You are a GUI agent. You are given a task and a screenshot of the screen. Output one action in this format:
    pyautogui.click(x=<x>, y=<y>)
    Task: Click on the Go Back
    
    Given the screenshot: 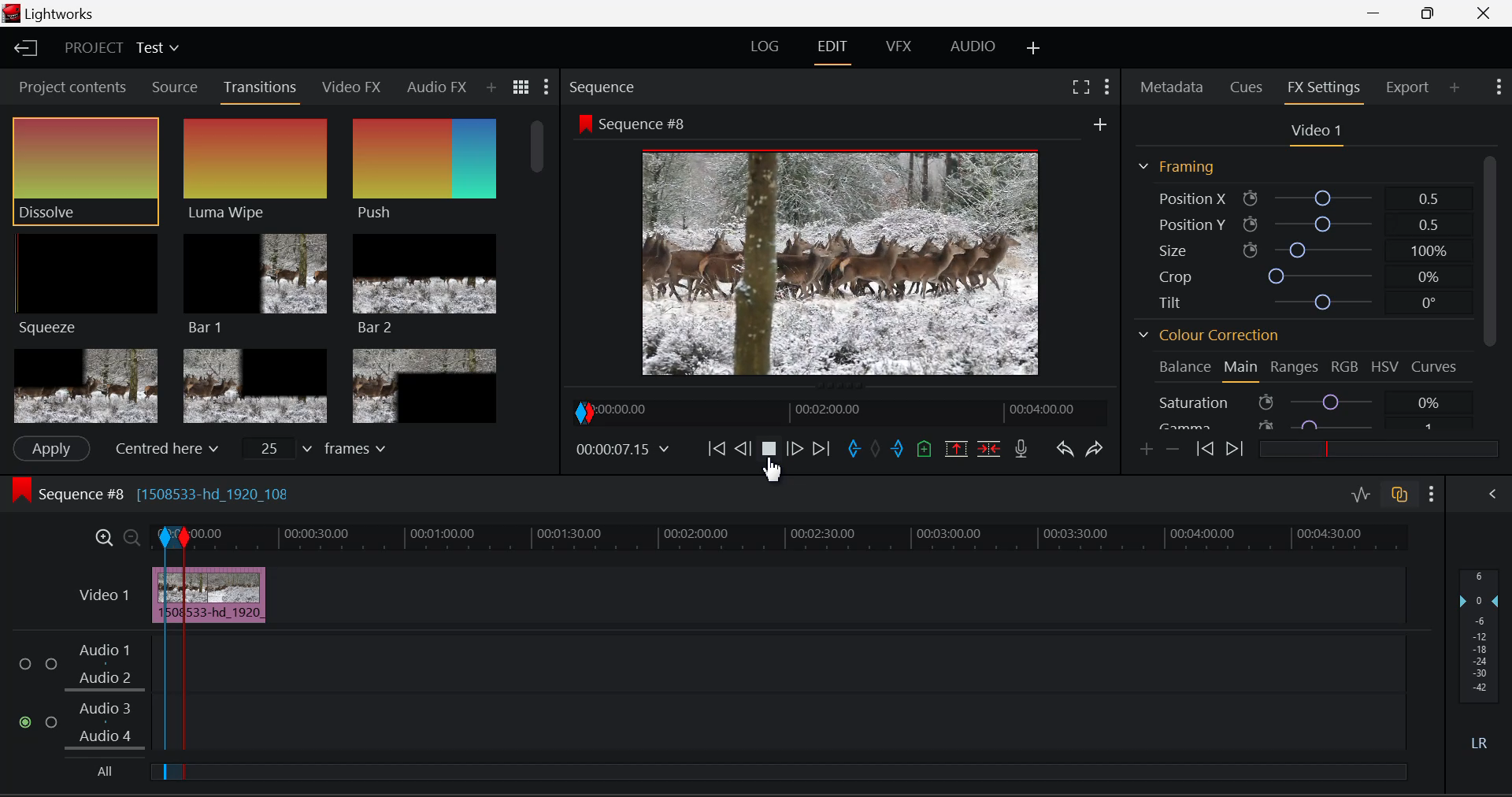 What is the action you would take?
    pyautogui.click(x=743, y=450)
    